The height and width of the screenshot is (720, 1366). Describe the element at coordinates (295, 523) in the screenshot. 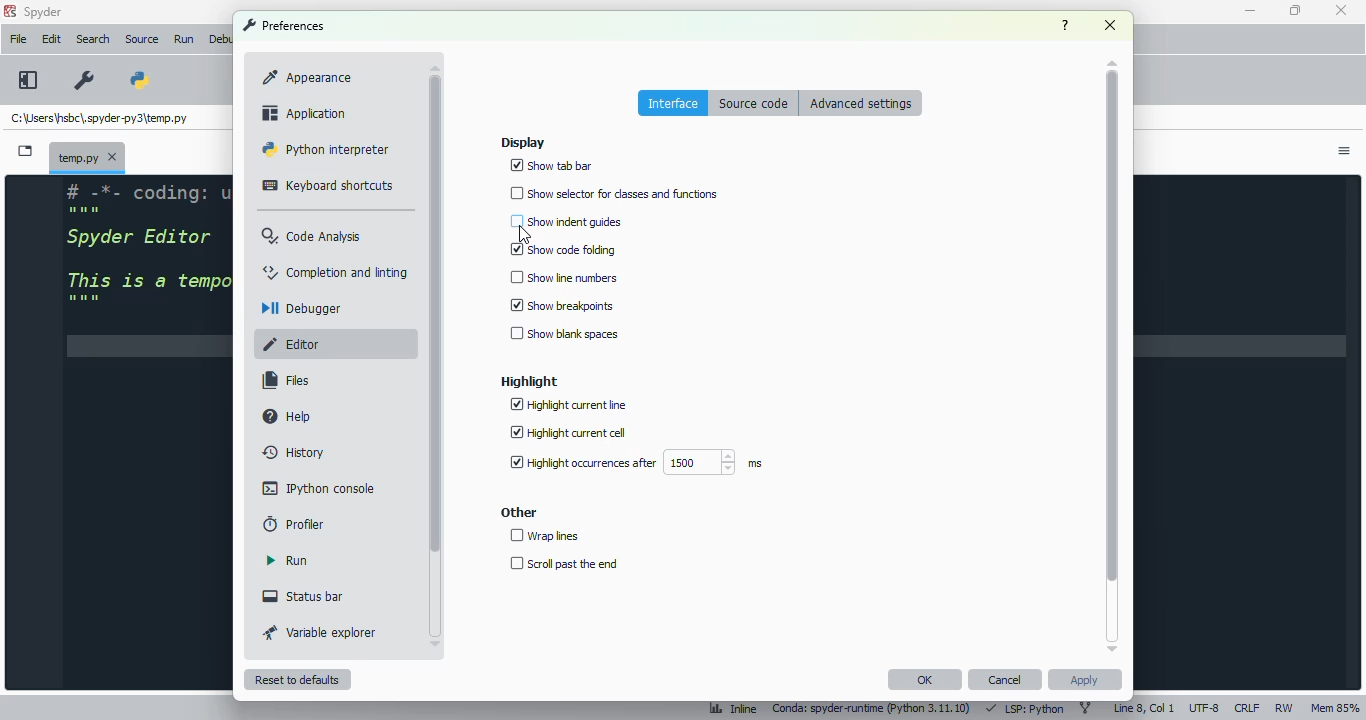

I see `profiler` at that location.